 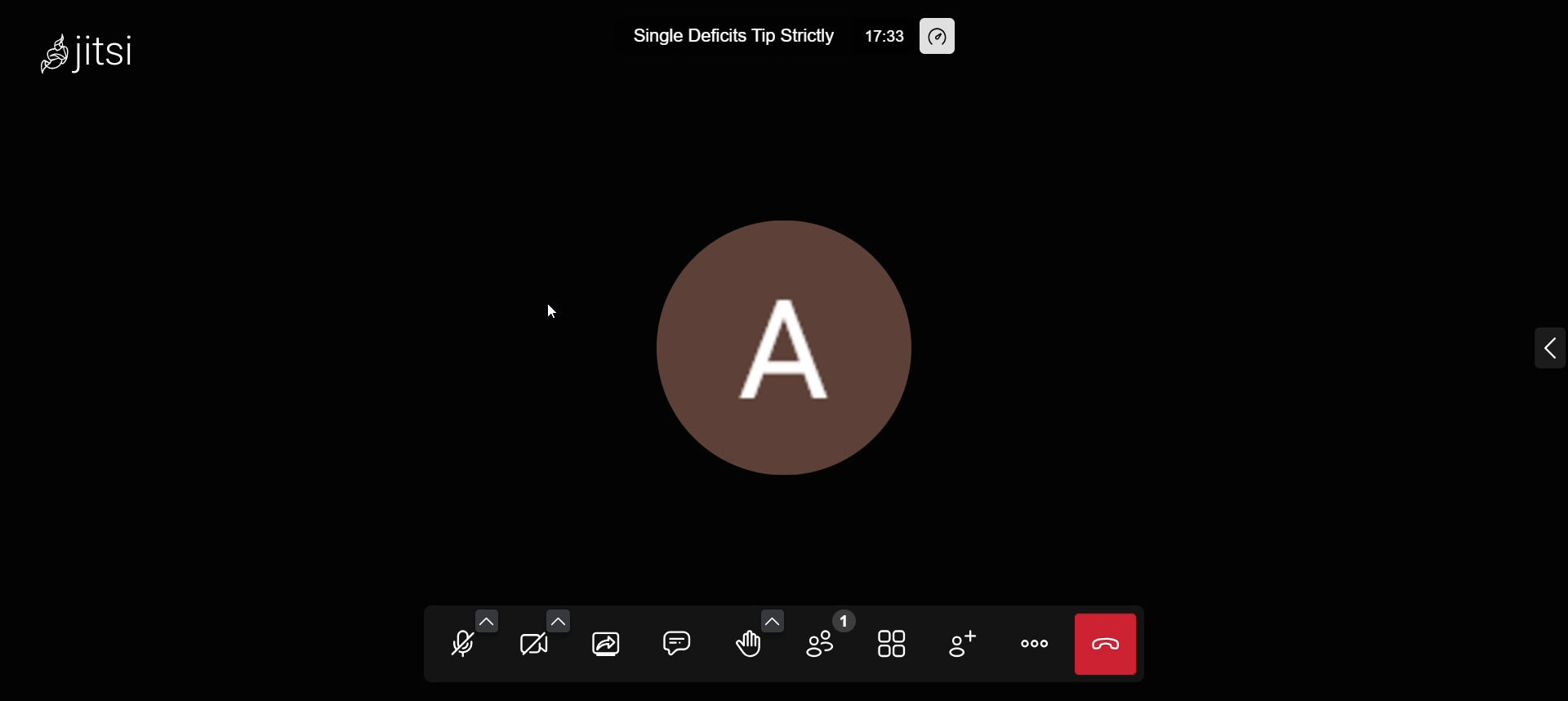 I want to click on tile view, so click(x=895, y=645).